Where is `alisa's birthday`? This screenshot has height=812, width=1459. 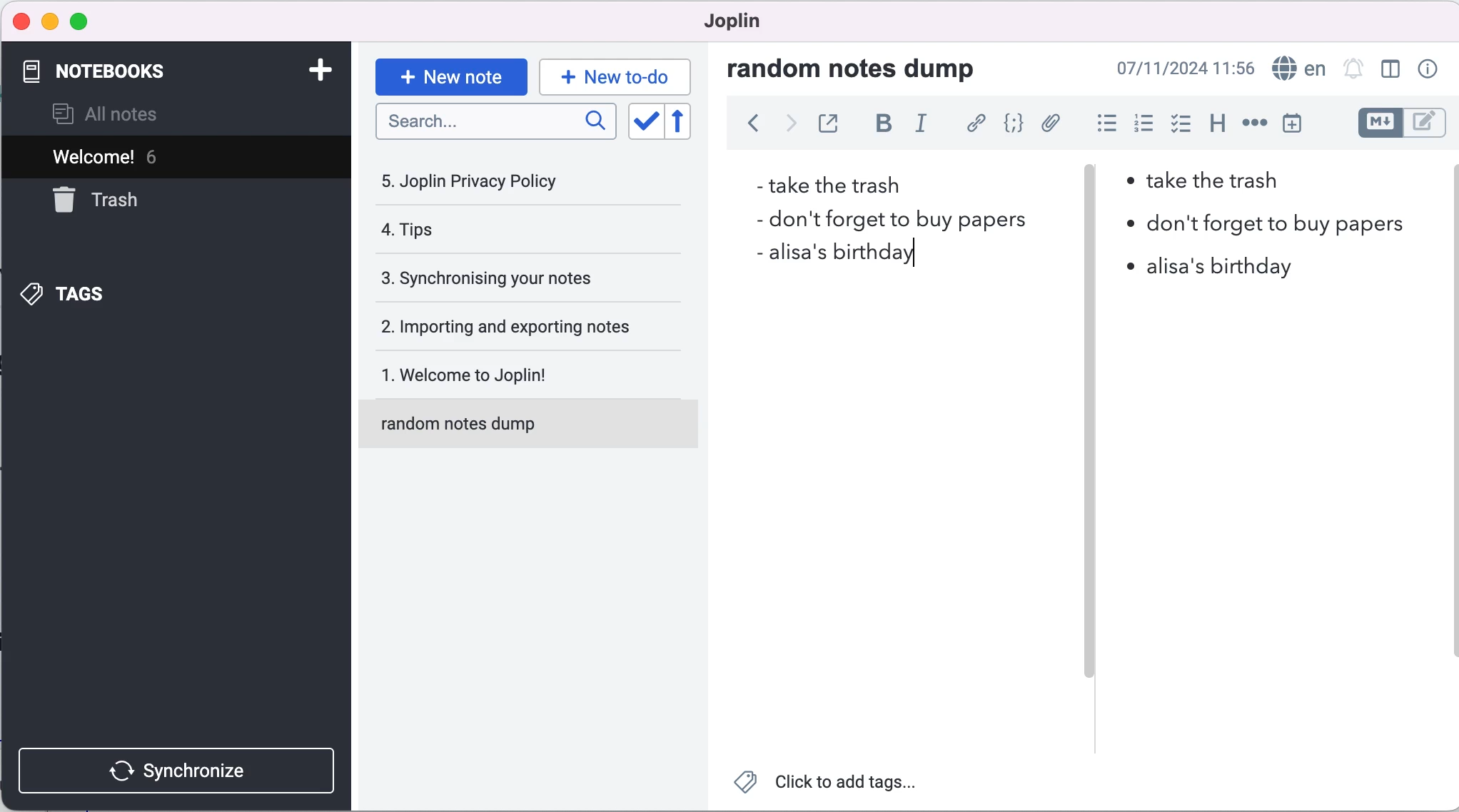 alisa's birthday is located at coordinates (832, 260).